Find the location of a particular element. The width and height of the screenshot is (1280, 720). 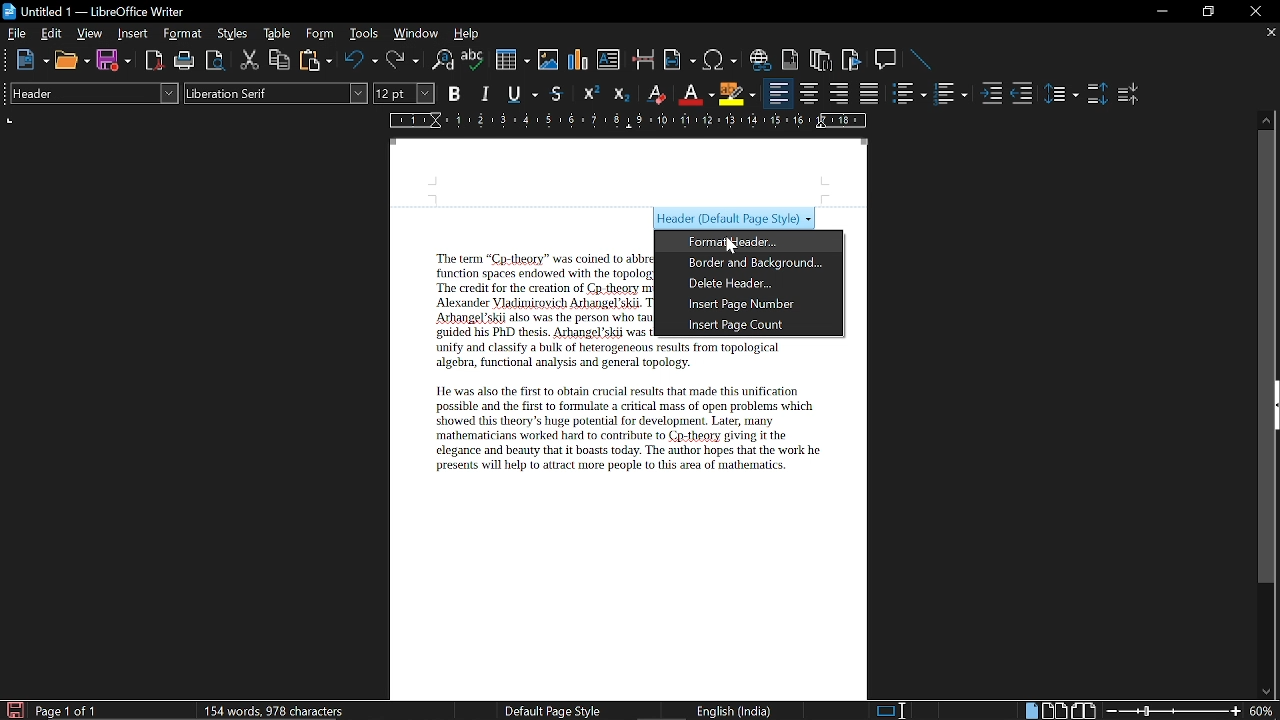

Multiple page view is located at coordinates (1054, 711).